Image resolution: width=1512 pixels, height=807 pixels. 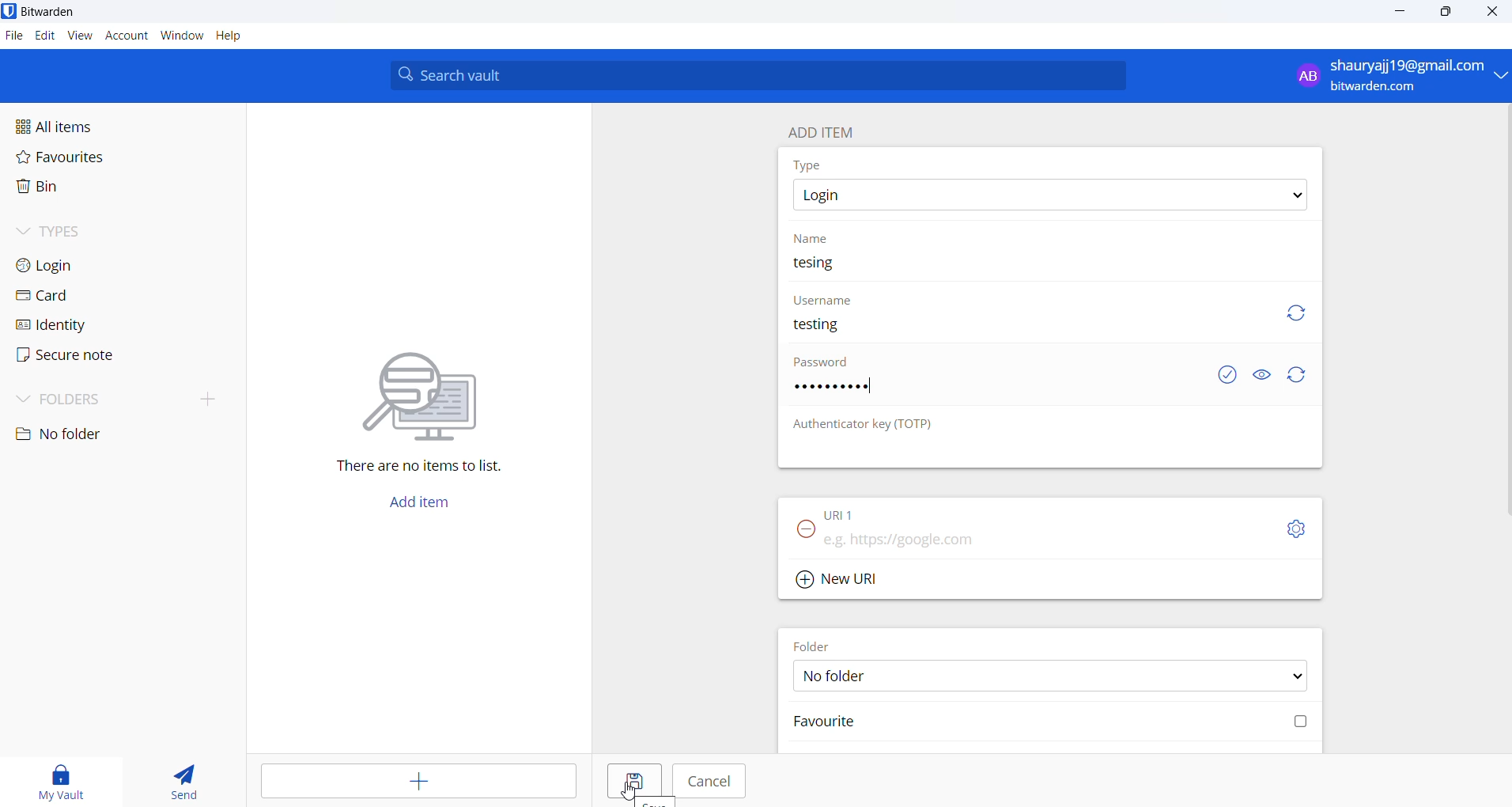 I want to click on CURSOR, so click(x=626, y=792).